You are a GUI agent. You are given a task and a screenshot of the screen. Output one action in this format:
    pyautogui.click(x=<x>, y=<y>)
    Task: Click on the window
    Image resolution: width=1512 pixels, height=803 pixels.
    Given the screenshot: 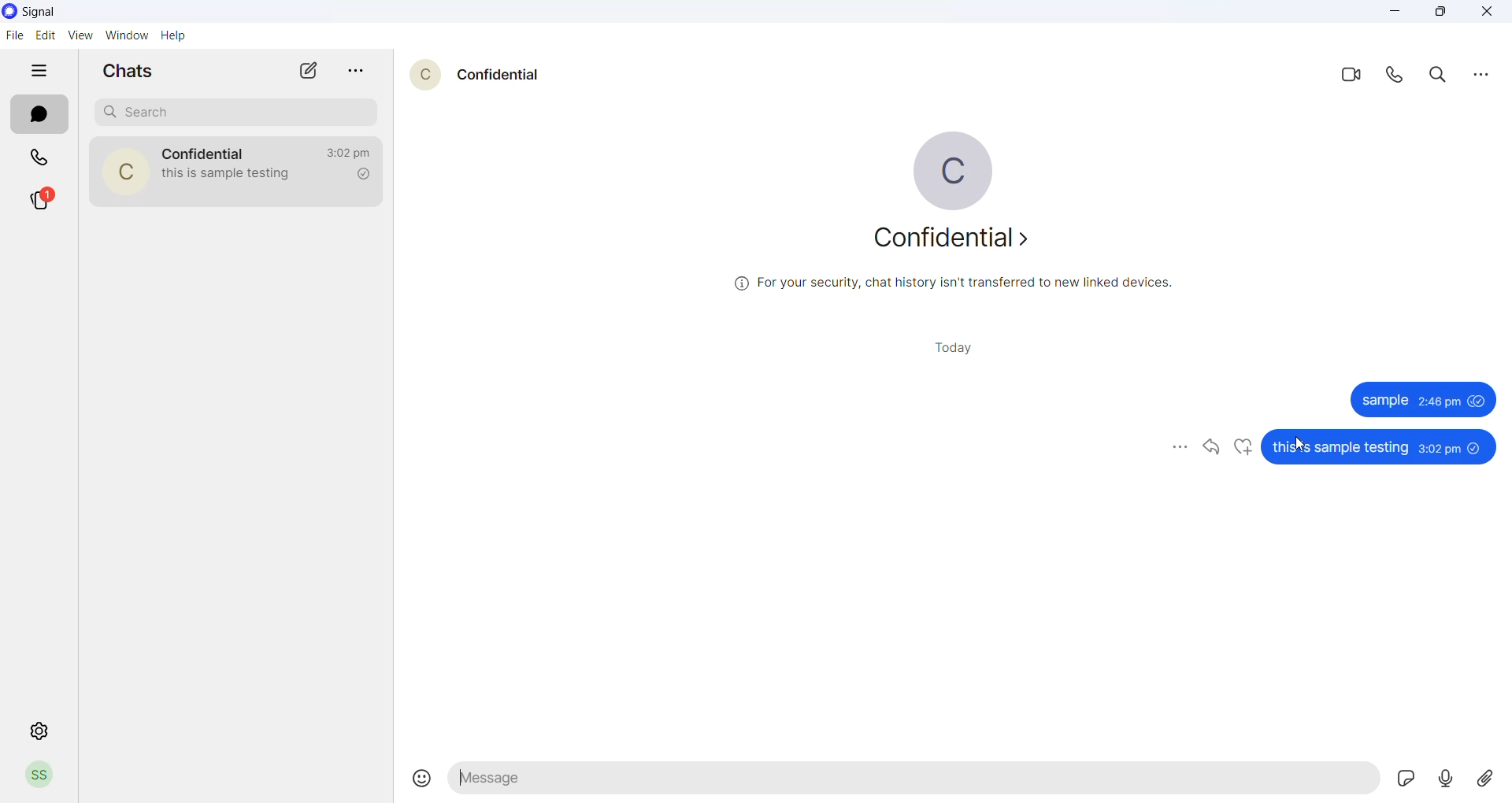 What is the action you would take?
    pyautogui.click(x=128, y=34)
    